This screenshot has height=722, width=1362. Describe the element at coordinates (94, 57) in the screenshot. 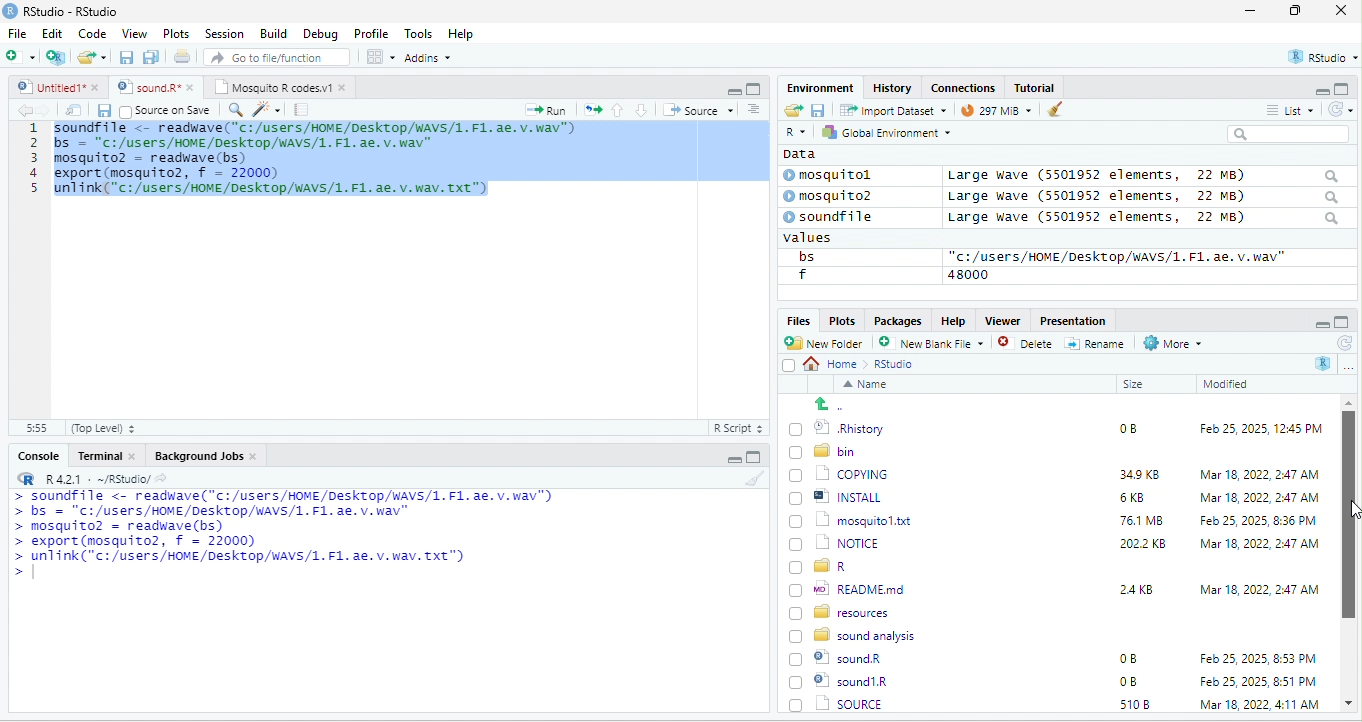

I see `folder` at that location.